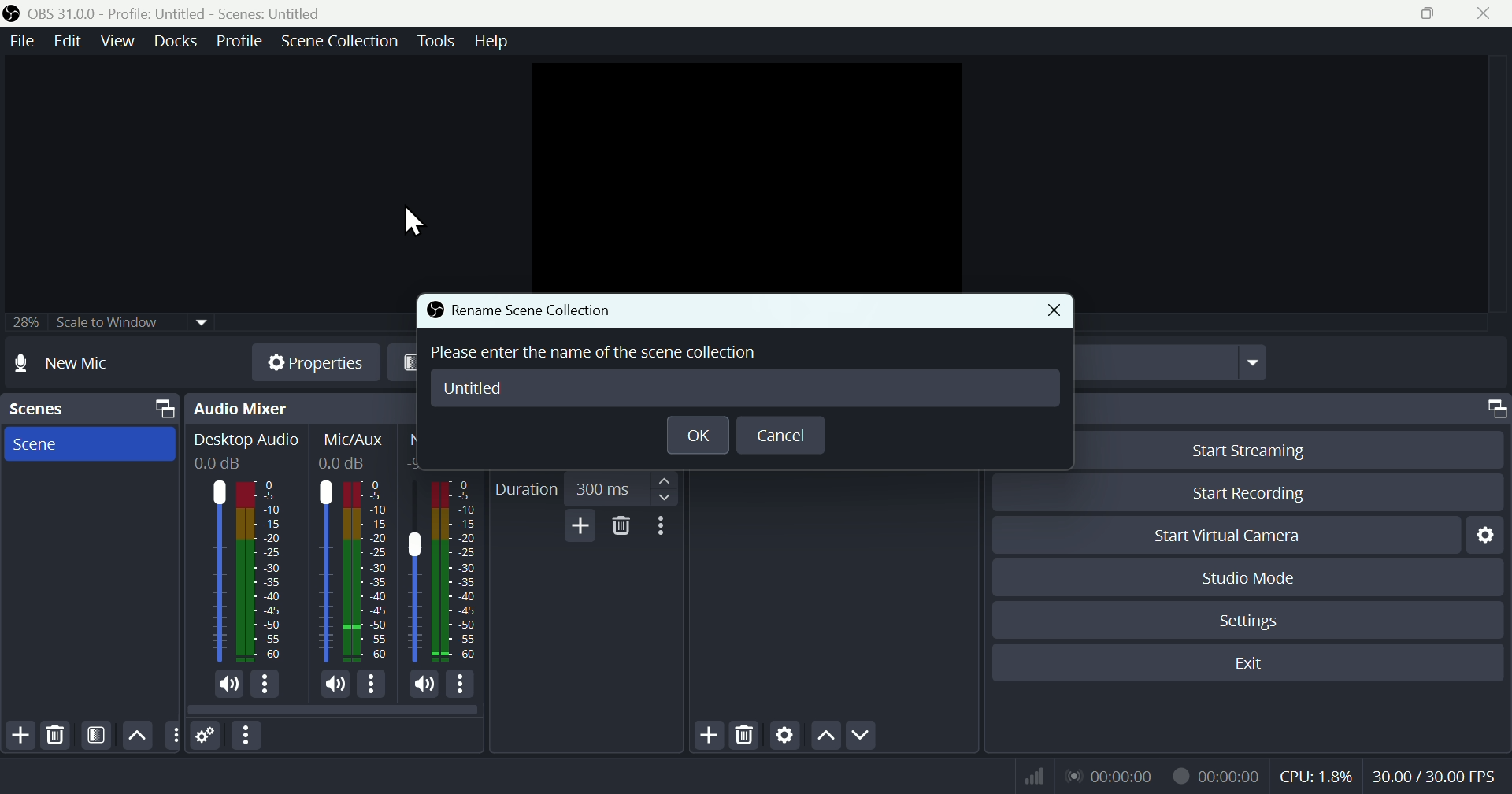  Describe the element at coordinates (1255, 625) in the screenshot. I see `Settings` at that location.